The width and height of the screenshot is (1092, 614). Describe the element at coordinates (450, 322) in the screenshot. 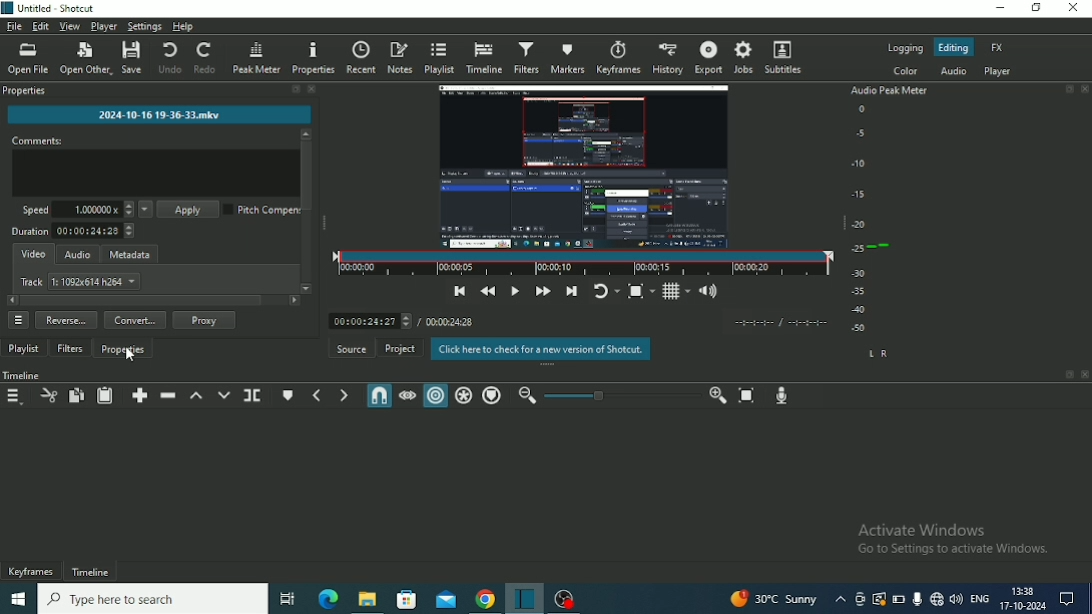

I see `Total Duration` at that location.